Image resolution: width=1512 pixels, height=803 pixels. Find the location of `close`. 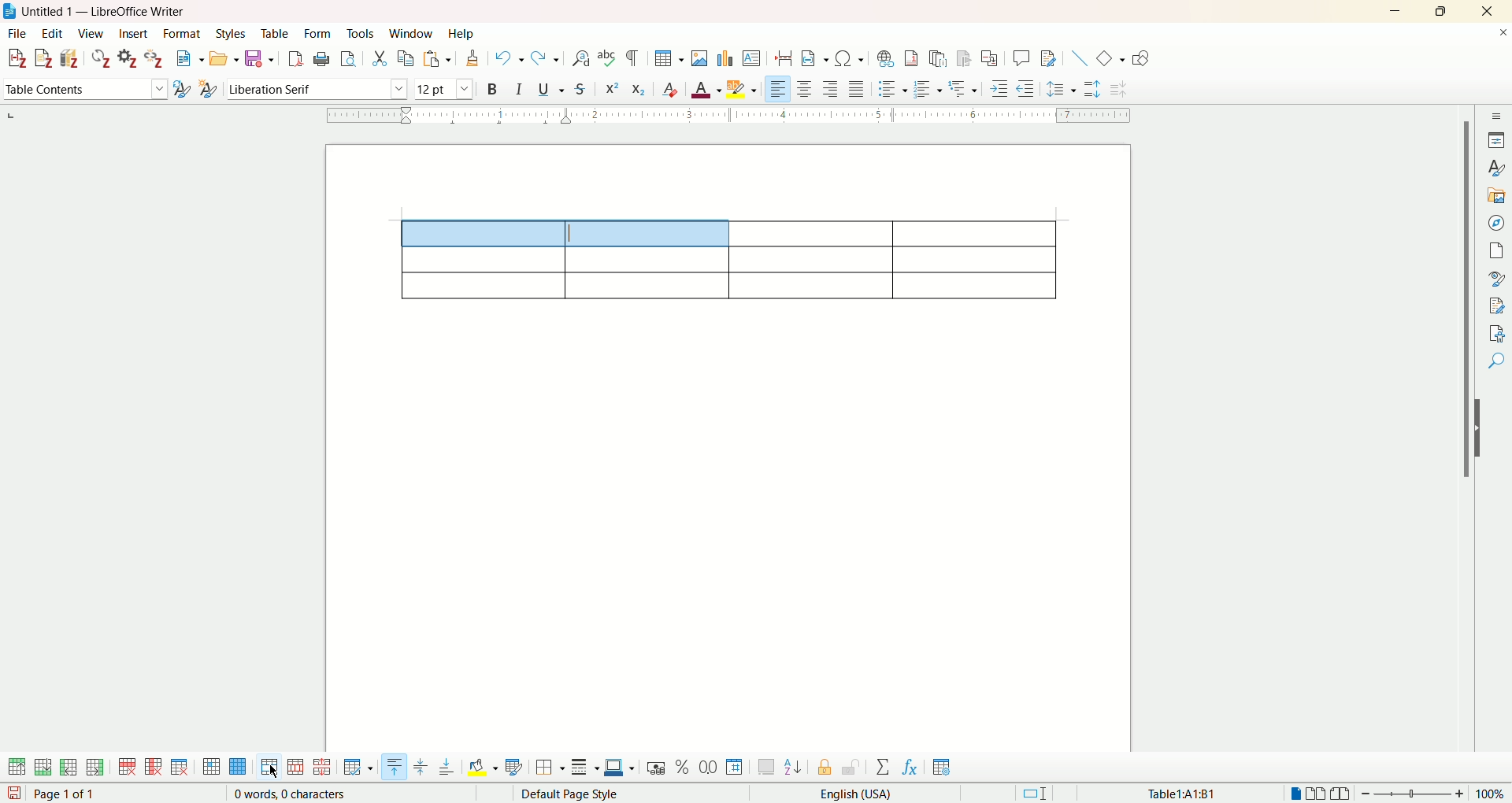

close is located at coordinates (1499, 33).